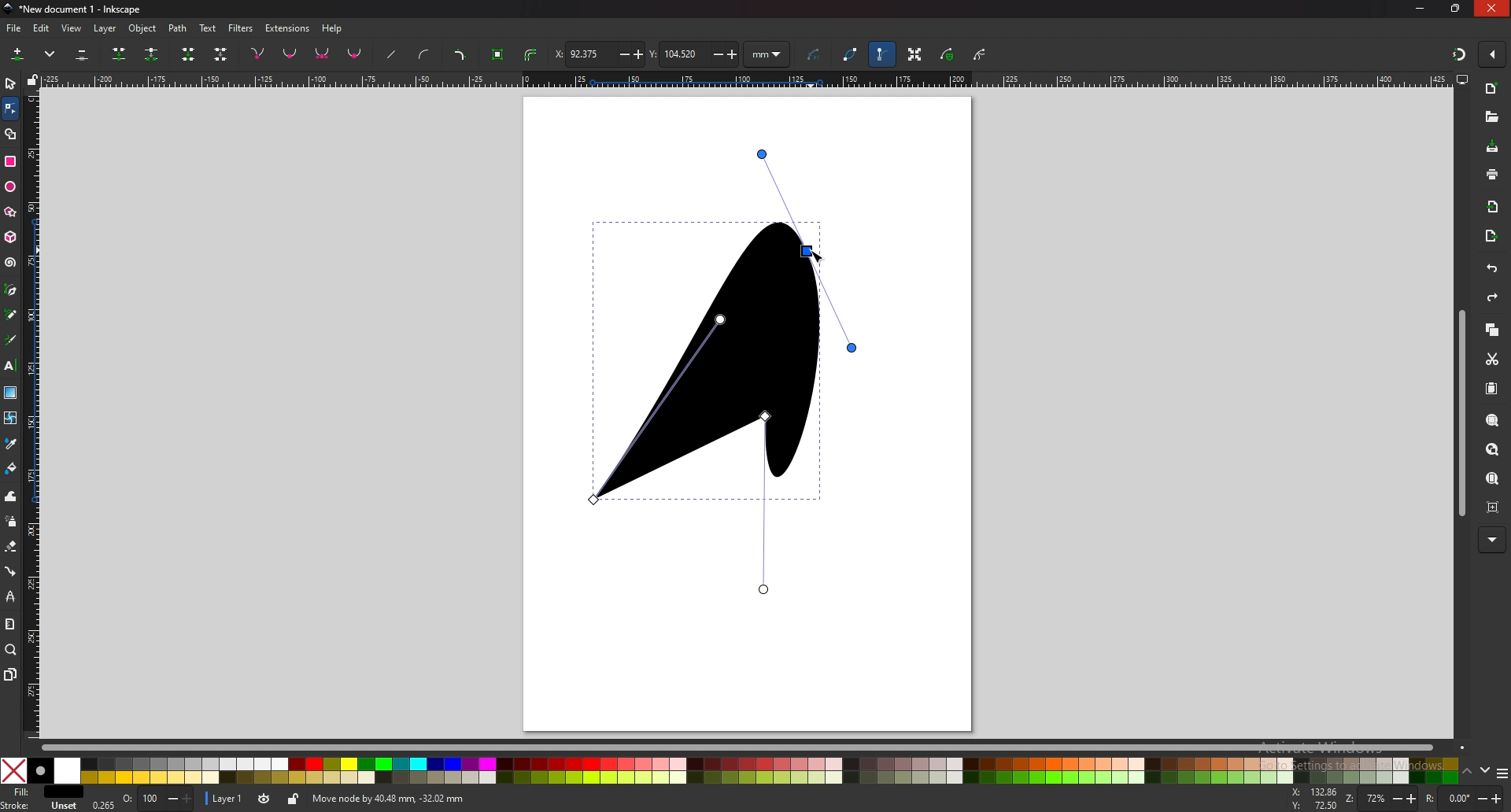  Describe the element at coordinates (105, 29) in the screenshot. I see `layer` at that location.